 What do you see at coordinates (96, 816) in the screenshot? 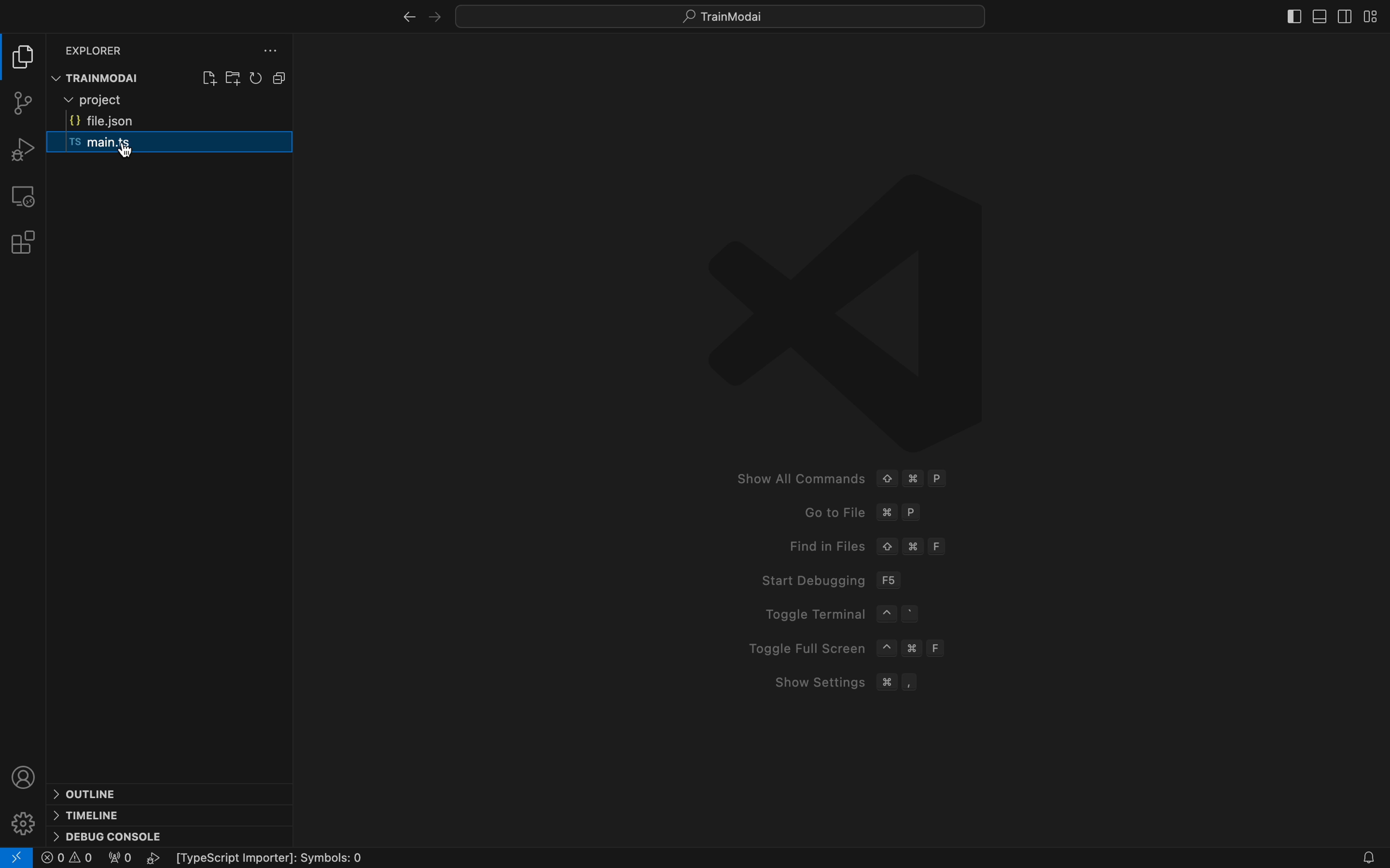
I see `timeline` at bounding box center [96, 816].